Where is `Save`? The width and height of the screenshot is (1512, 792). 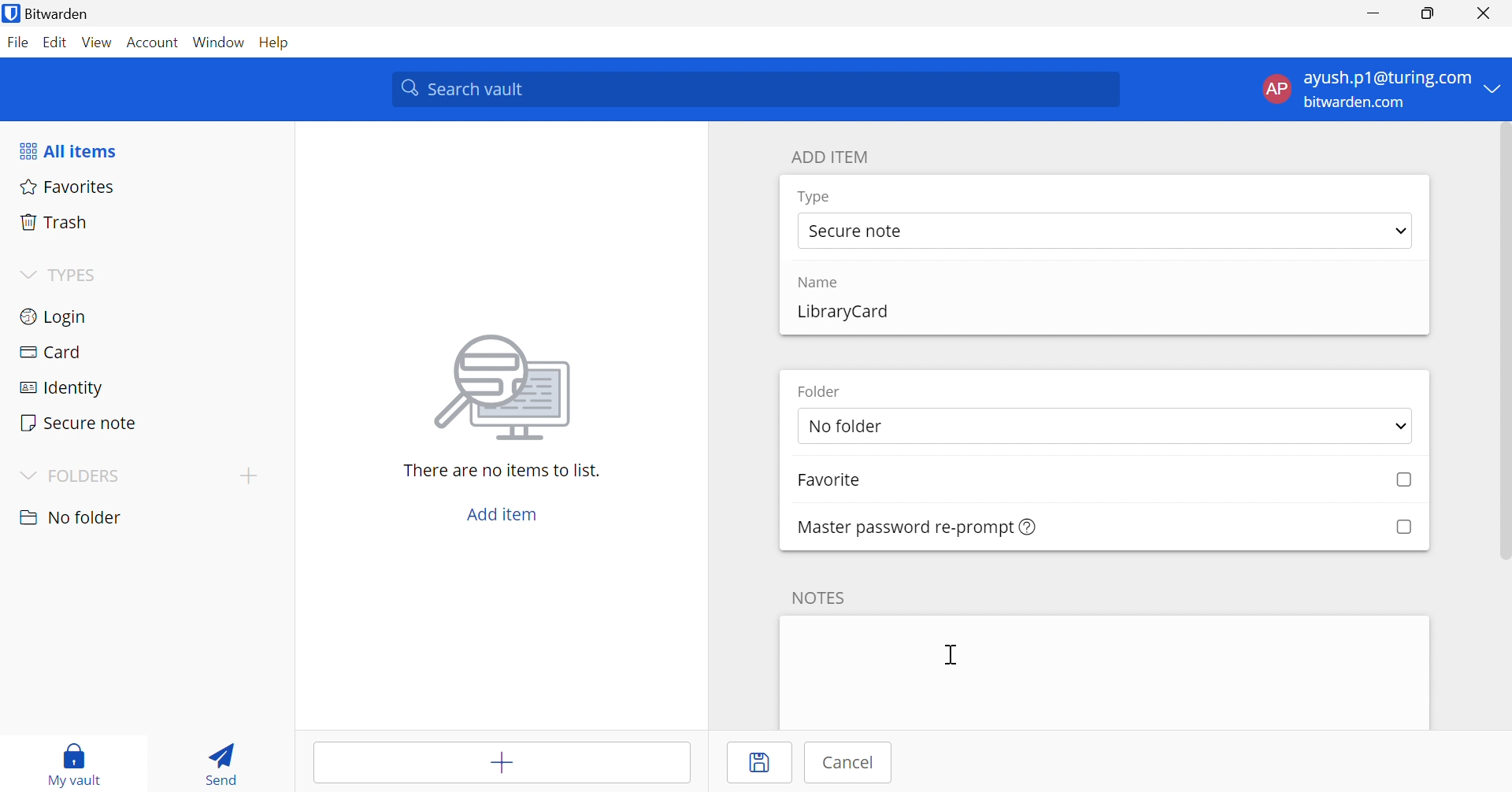 Save is located at coordinates (758, 763).